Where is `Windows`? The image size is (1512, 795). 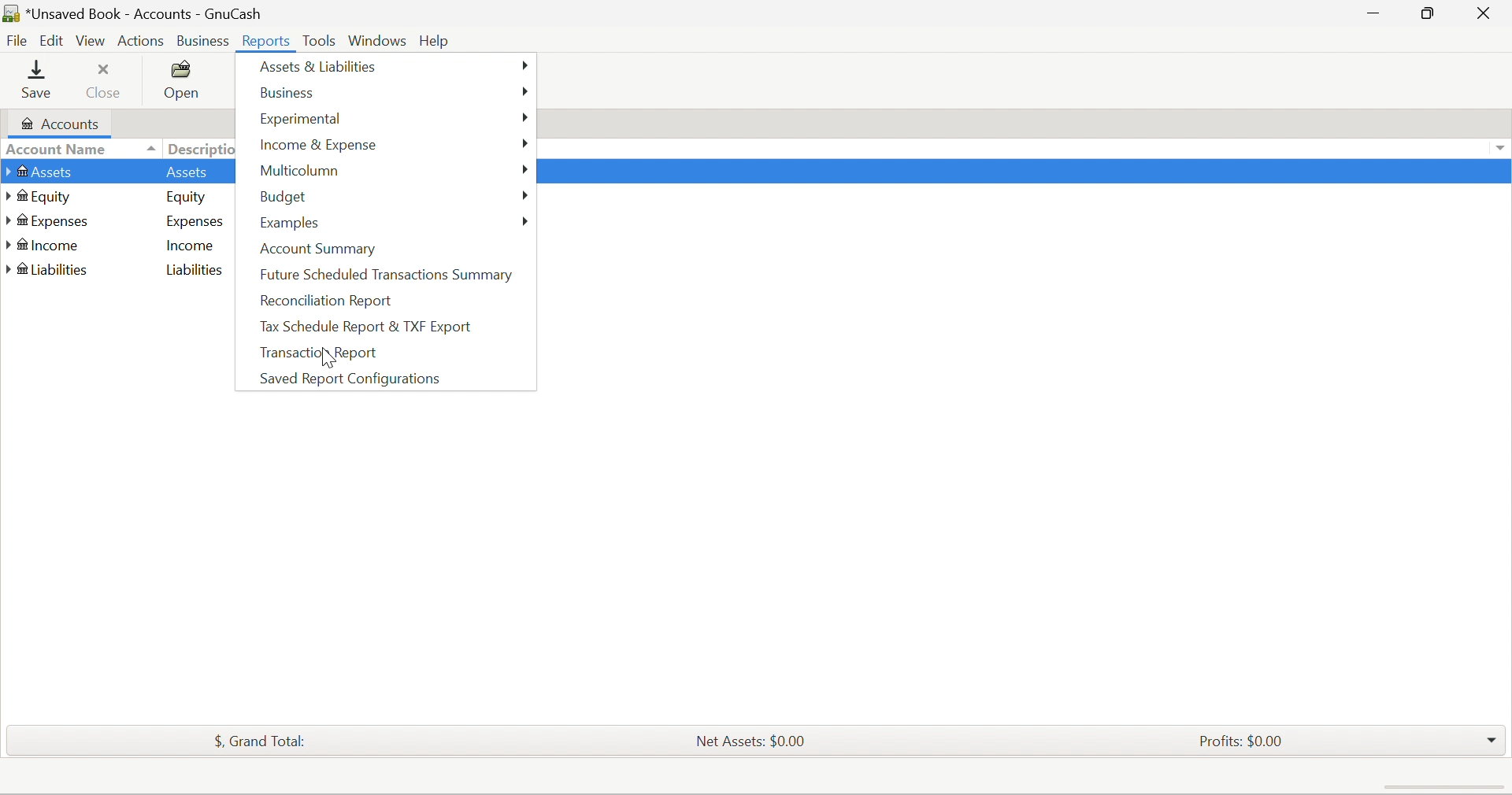
Windows is located at coordinates (376, 39).